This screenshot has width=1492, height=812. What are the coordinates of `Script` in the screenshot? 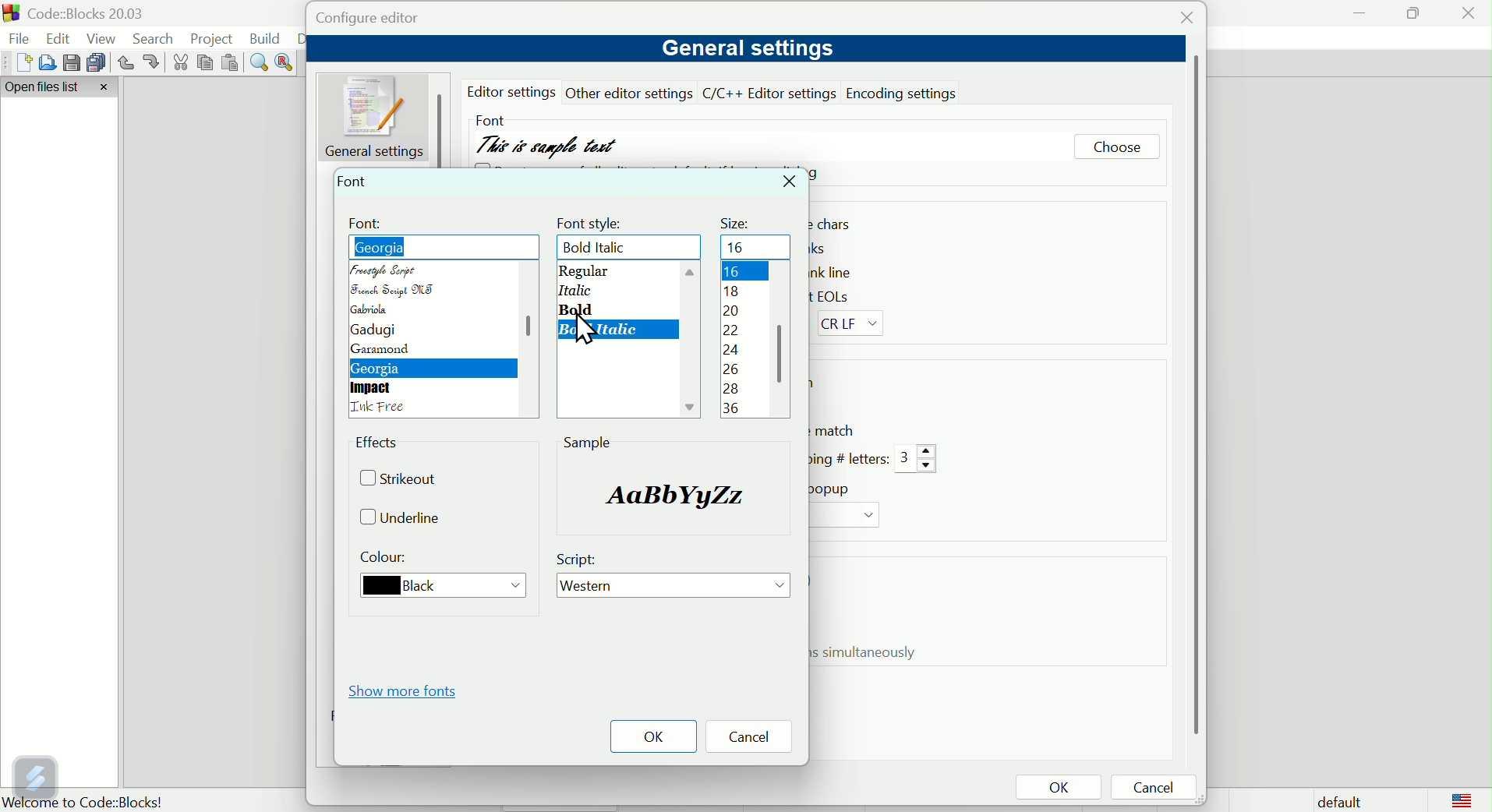 It's located at (581, 560).